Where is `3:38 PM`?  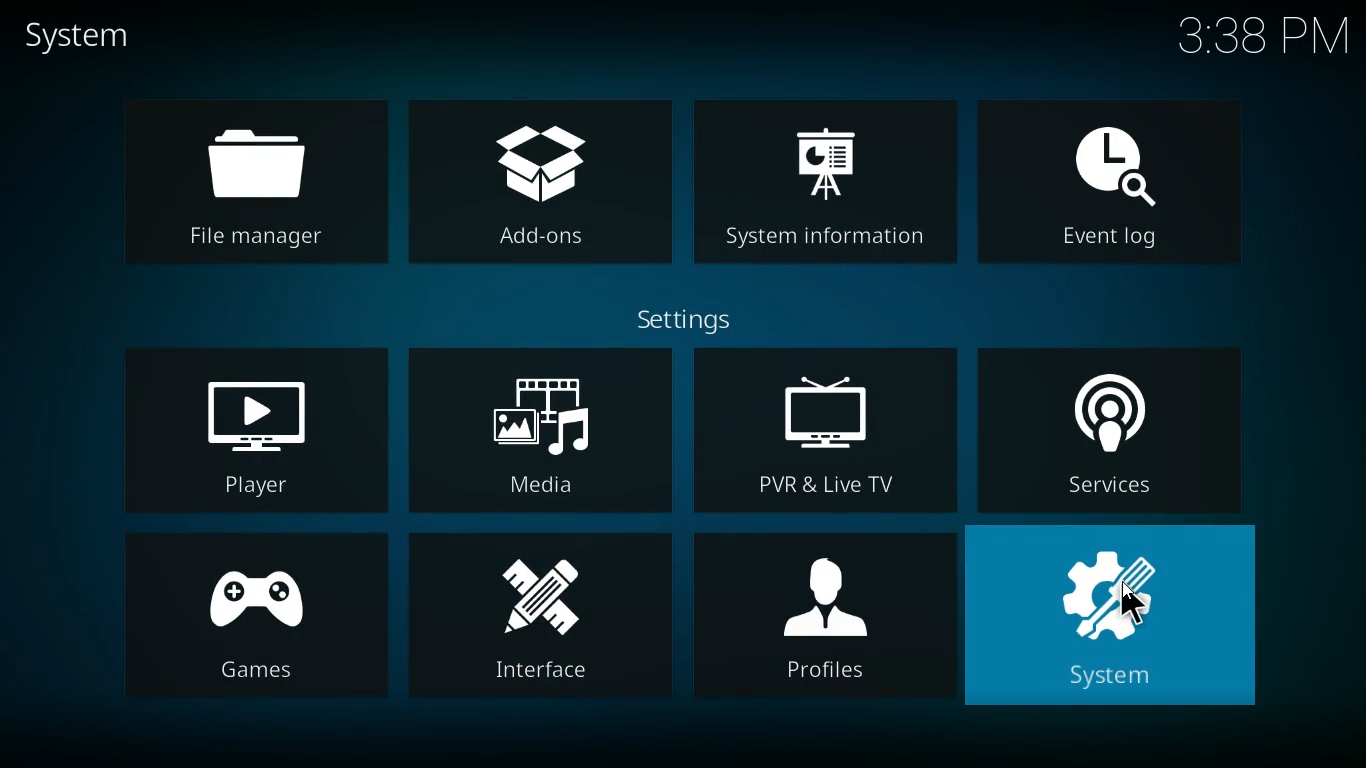 3:38 PM is located at coordinates (1250, 40).